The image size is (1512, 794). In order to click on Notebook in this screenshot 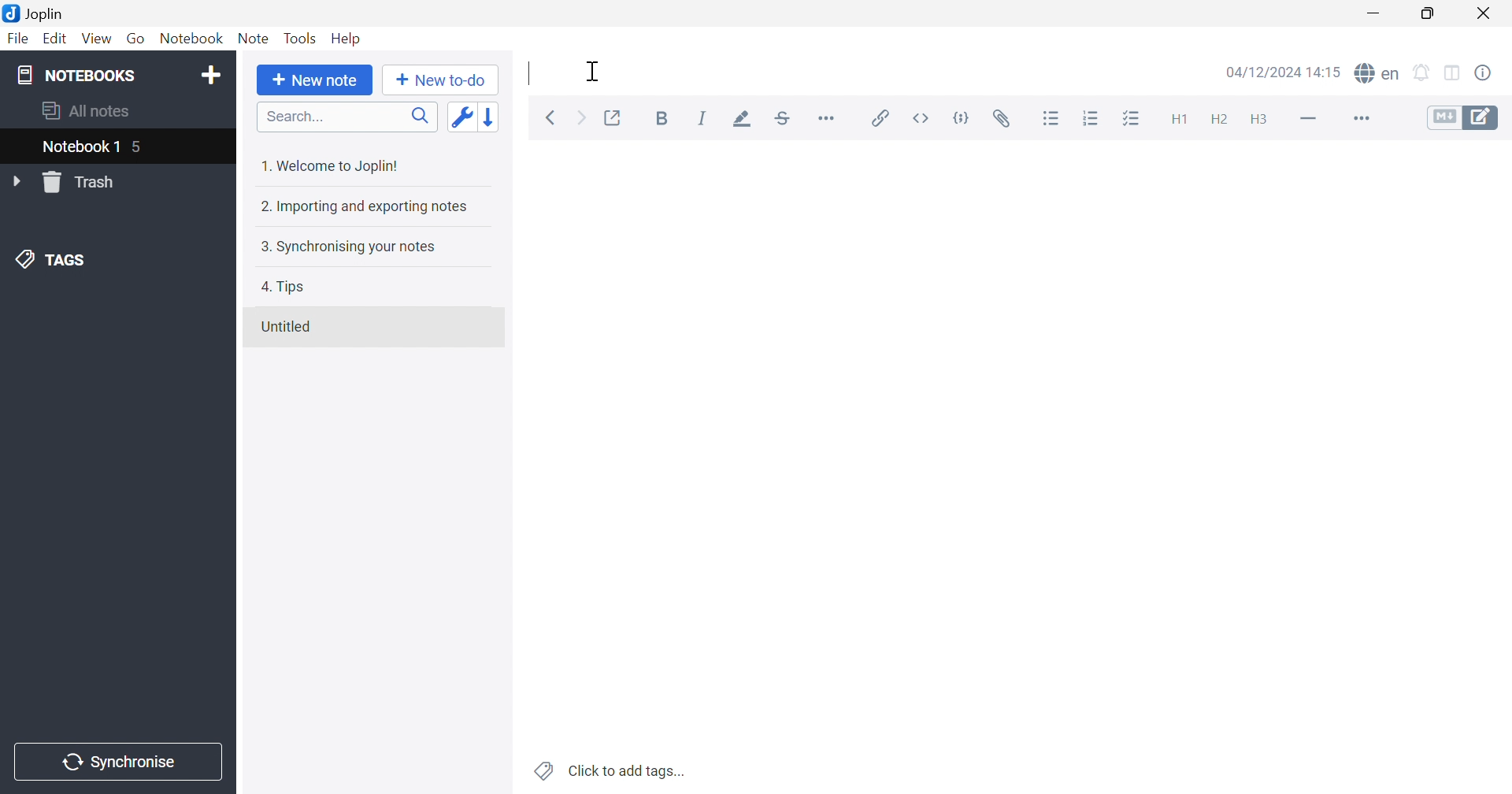, I will do `click(190, 39)`.